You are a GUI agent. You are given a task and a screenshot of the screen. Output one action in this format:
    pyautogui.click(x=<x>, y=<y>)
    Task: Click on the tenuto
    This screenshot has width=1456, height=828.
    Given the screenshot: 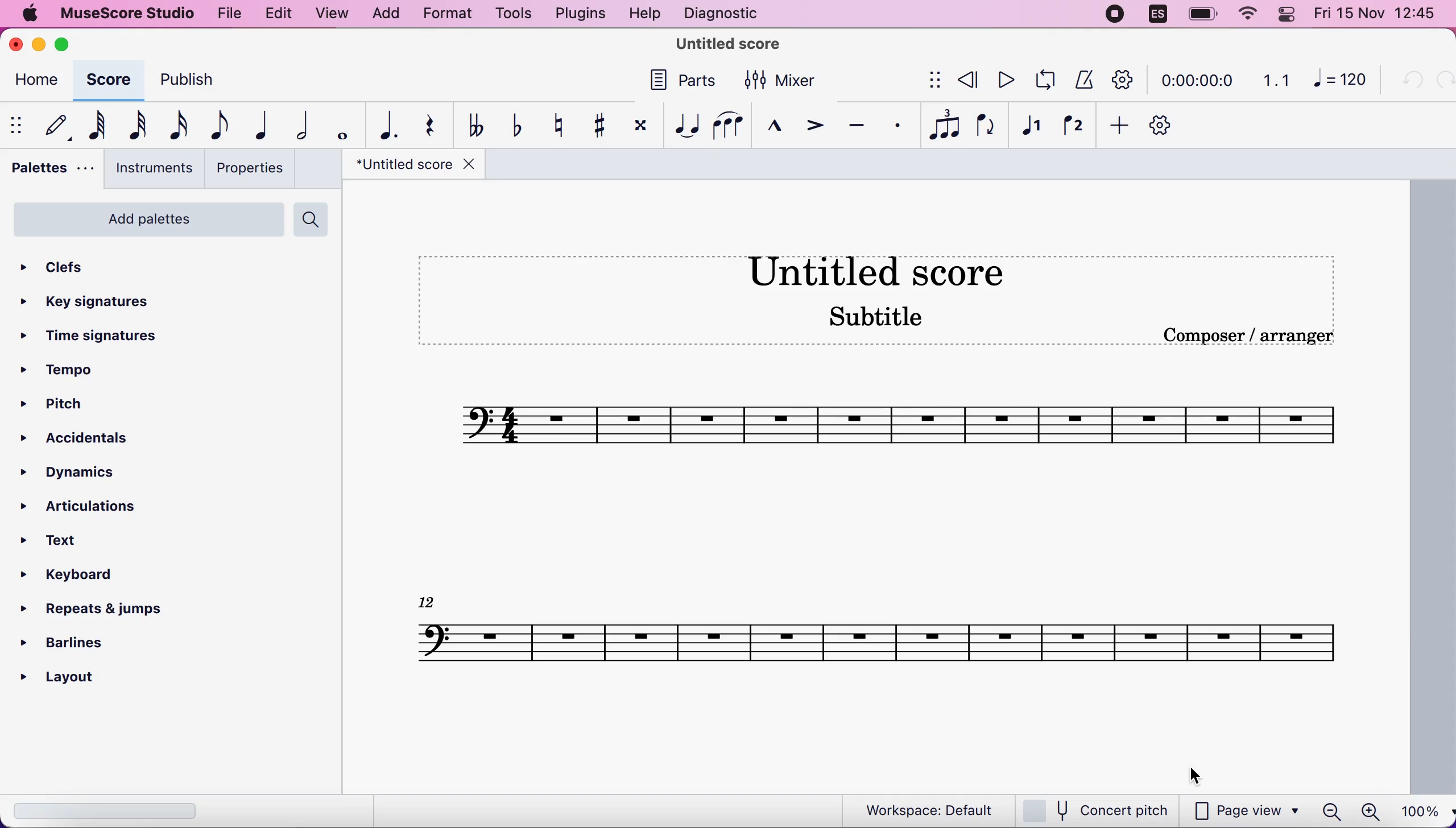 What is the action you would take?
    pyautogui.click(x=855, y=123)
    